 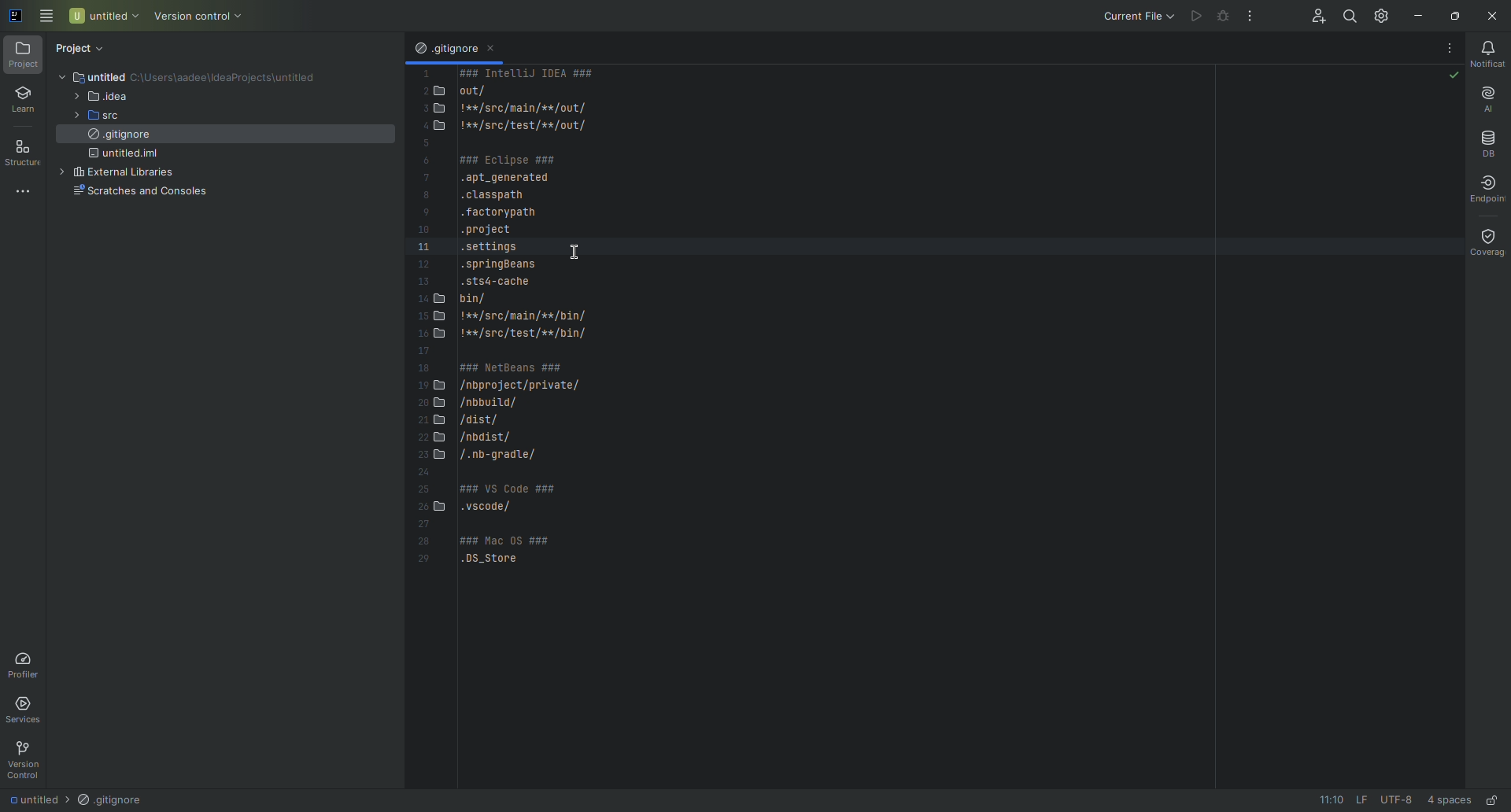 What do you see at coordinates (24, 100) in the screenshot?
I see `Learn` at bounding box center [24, 100].